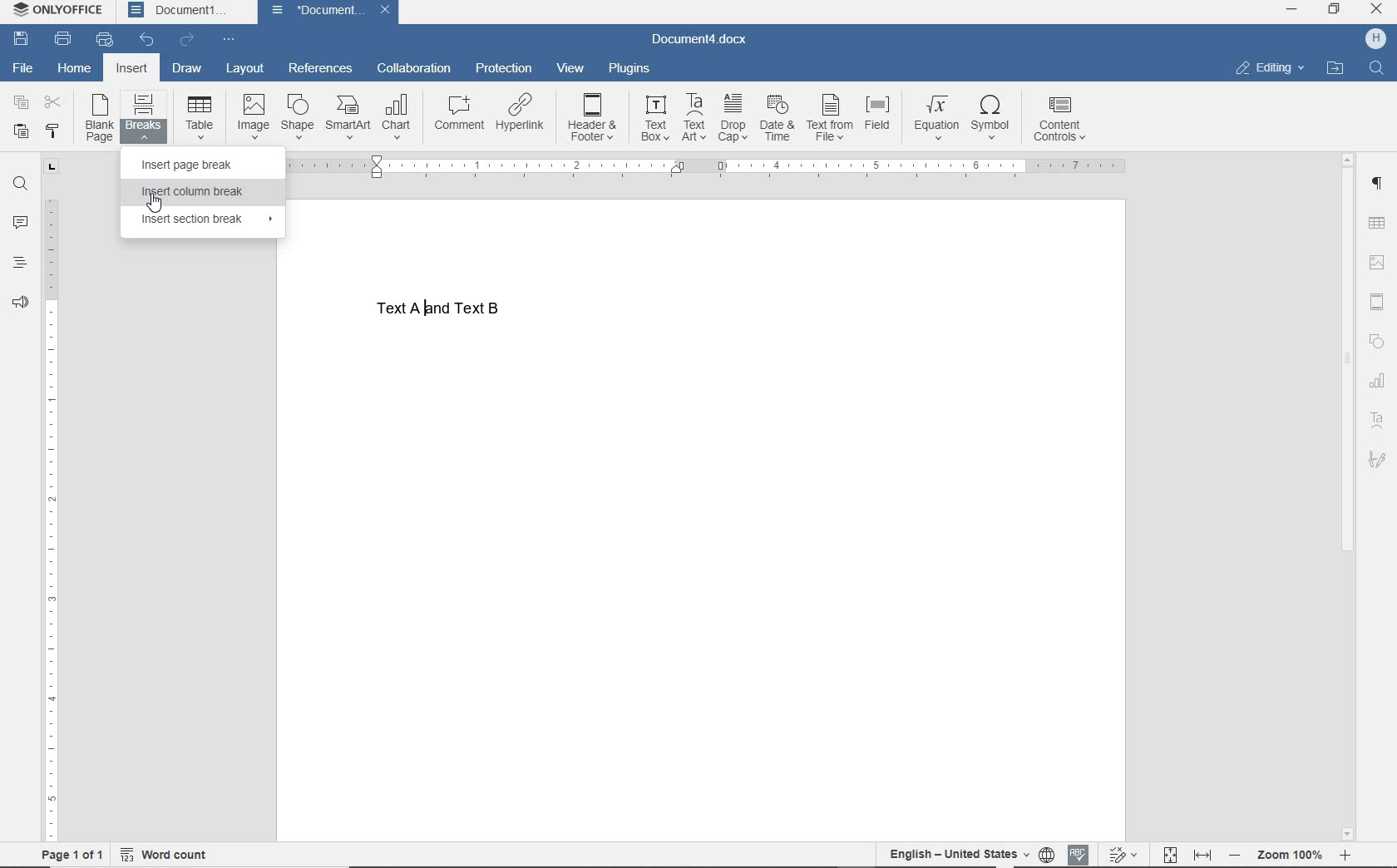 Image resolution: width=1397 pixels, height=868 pixels. I want to click on search, so click(1372, 68).